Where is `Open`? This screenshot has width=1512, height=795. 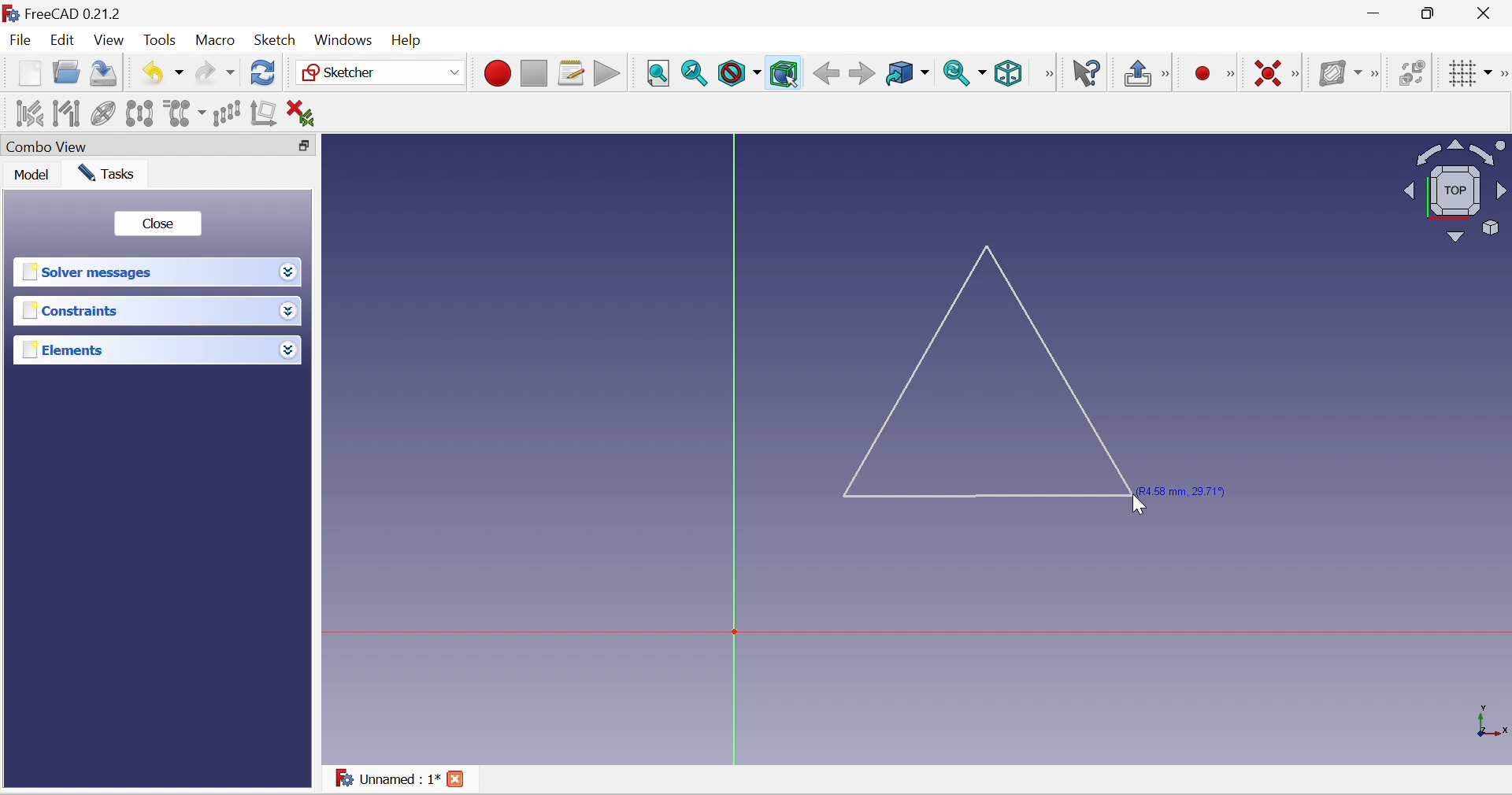 Open is located at coordinates (67, 74).